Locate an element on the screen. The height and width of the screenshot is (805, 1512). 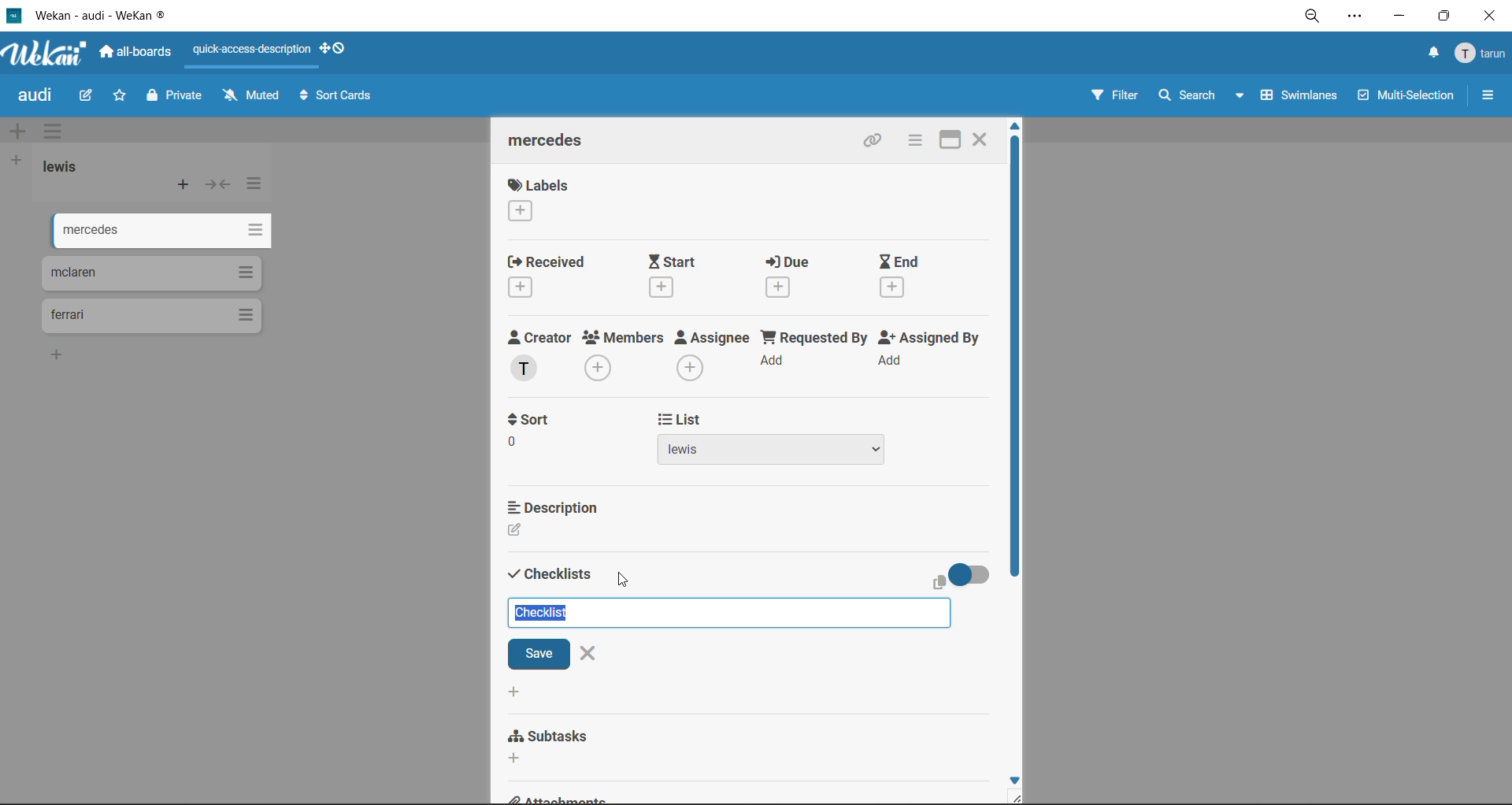
filter is located at coordinates (1113, 98).